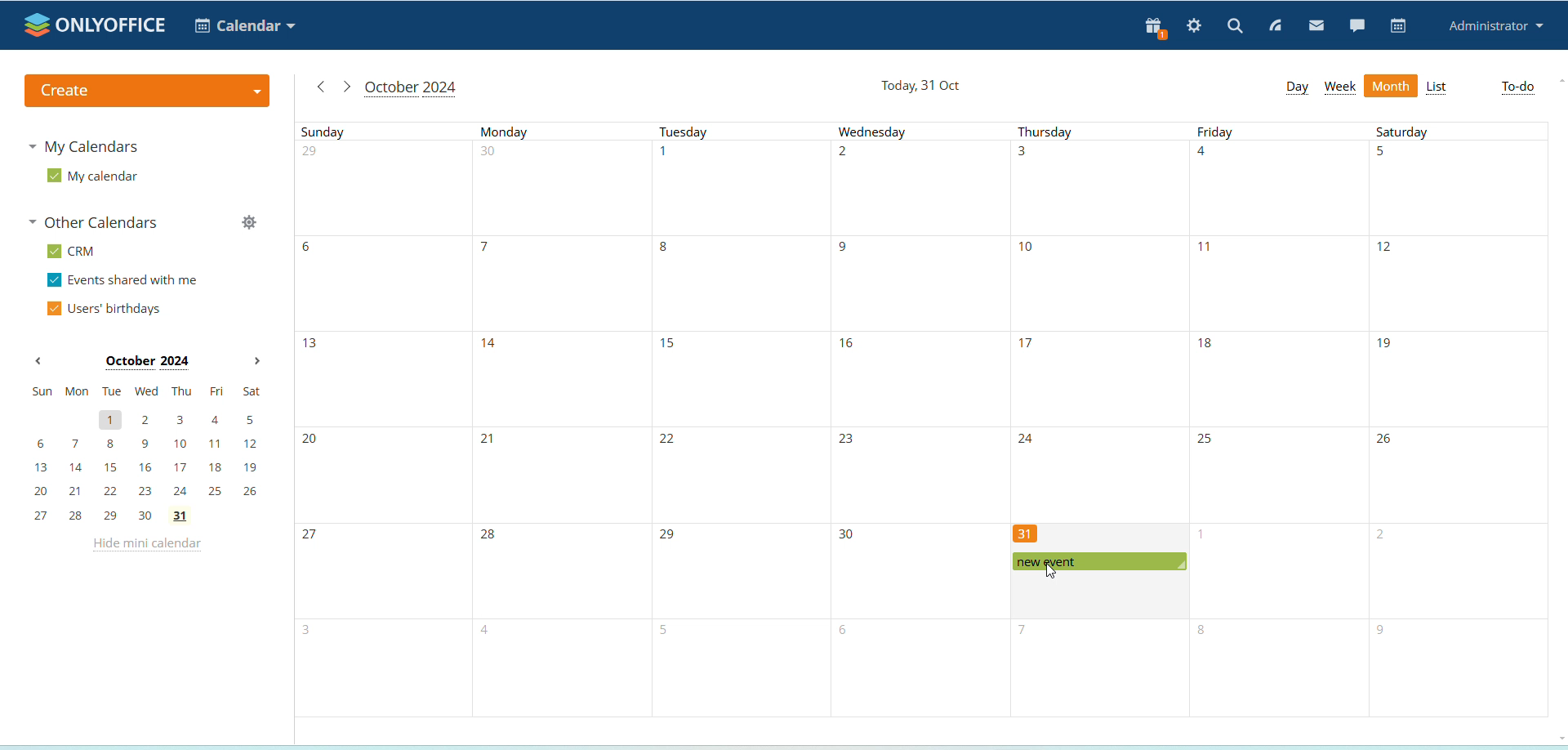 This screenshot has height=750, width=1568. I want to click on week view, so click(1340, 87).